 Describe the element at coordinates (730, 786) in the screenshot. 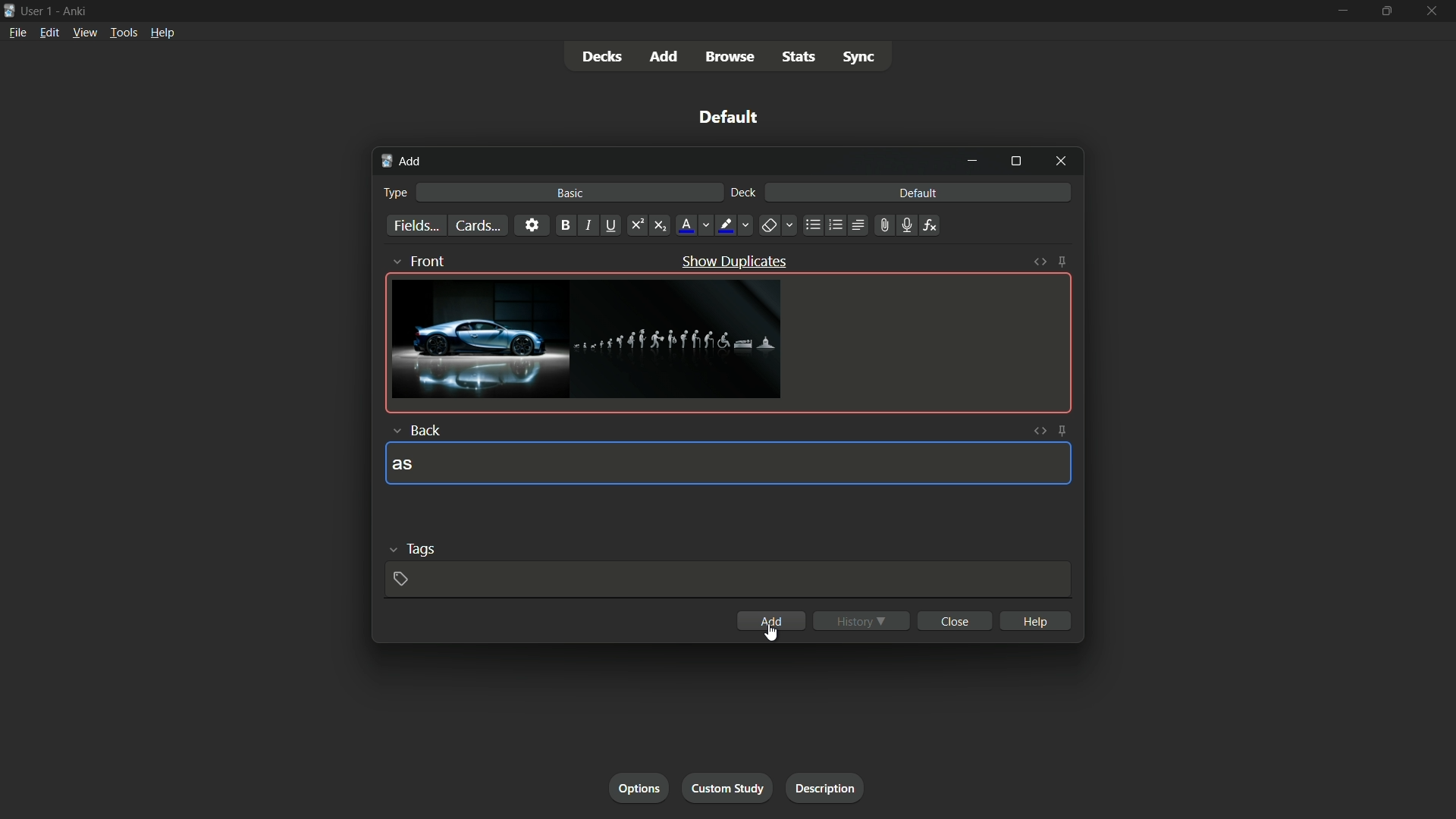

I see `custom study` at that location.